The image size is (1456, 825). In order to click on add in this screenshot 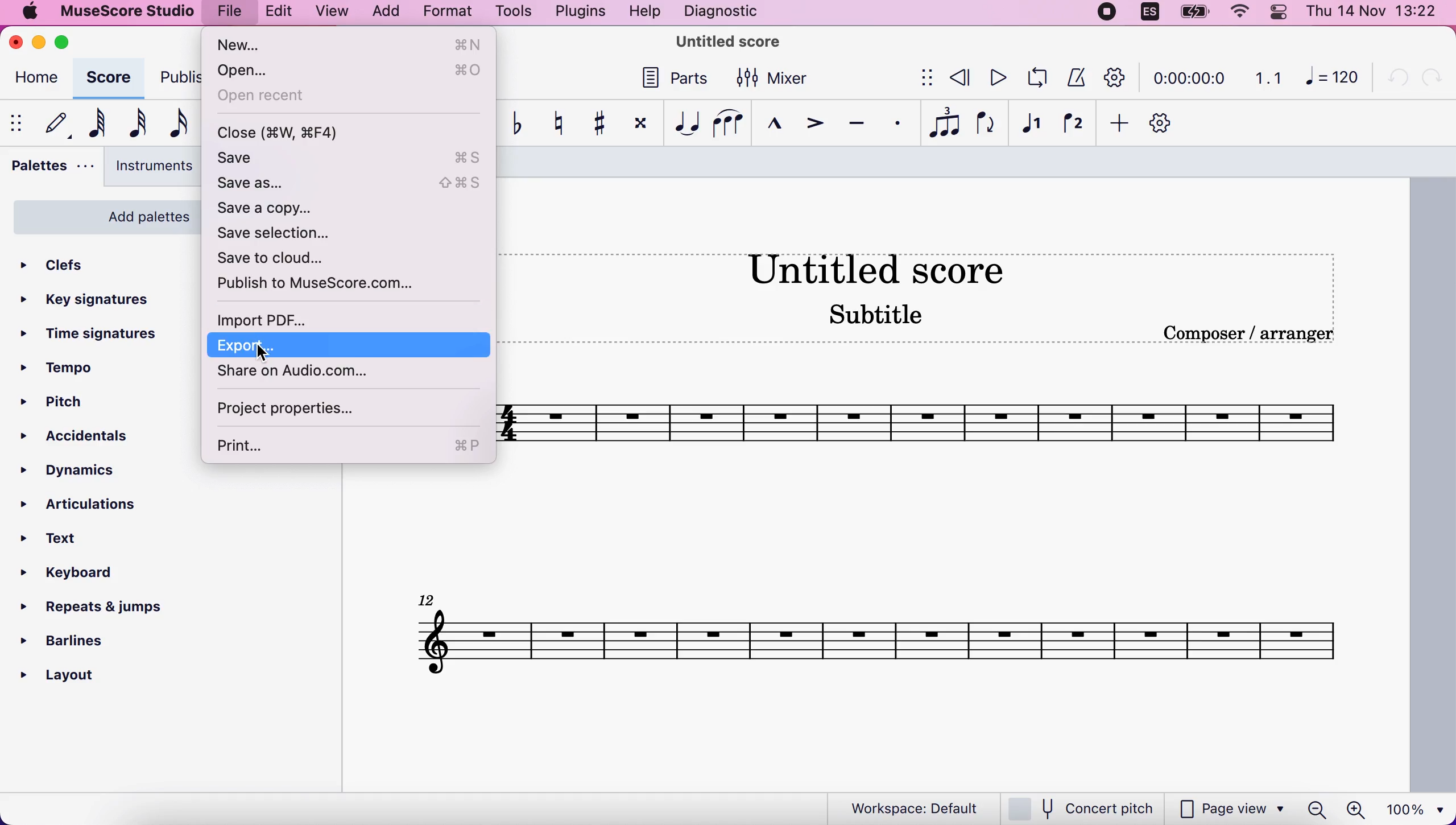, I will do `click(1115, 121)`.